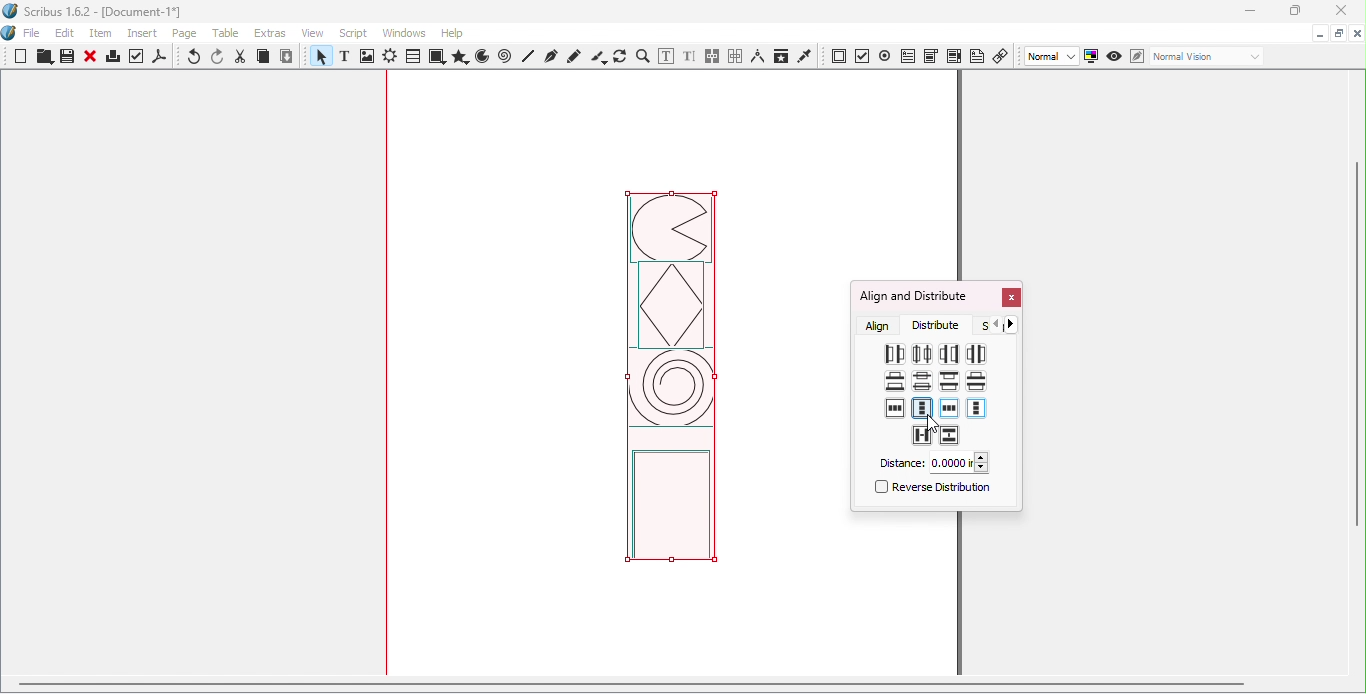 The height and width of the screenshot is (694, 1366). I want to click on Distribute centers equidistantly horizontally, so click(921, 353).